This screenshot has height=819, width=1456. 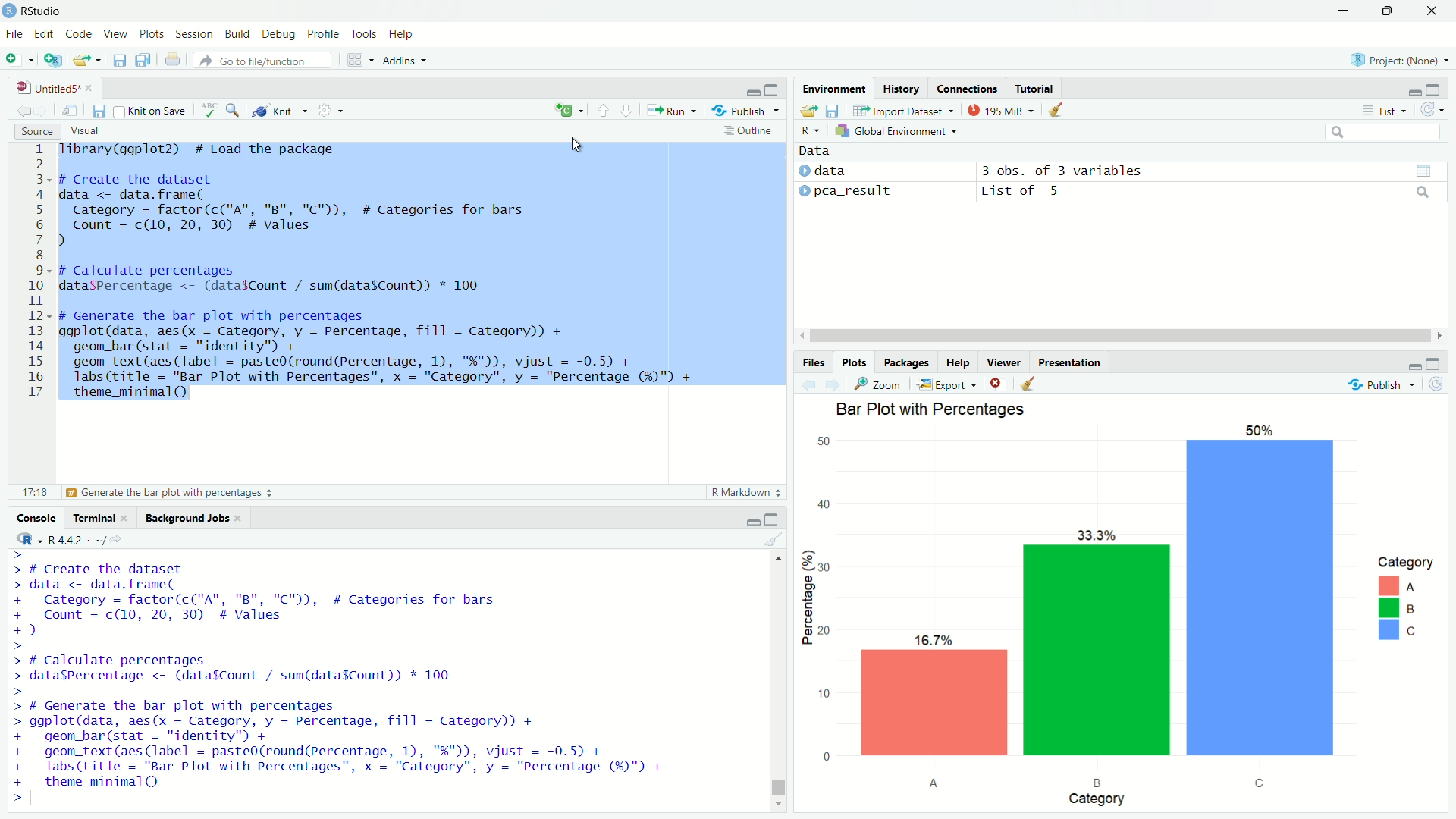 I want to click on refresh, so click(x=1439, y=384).